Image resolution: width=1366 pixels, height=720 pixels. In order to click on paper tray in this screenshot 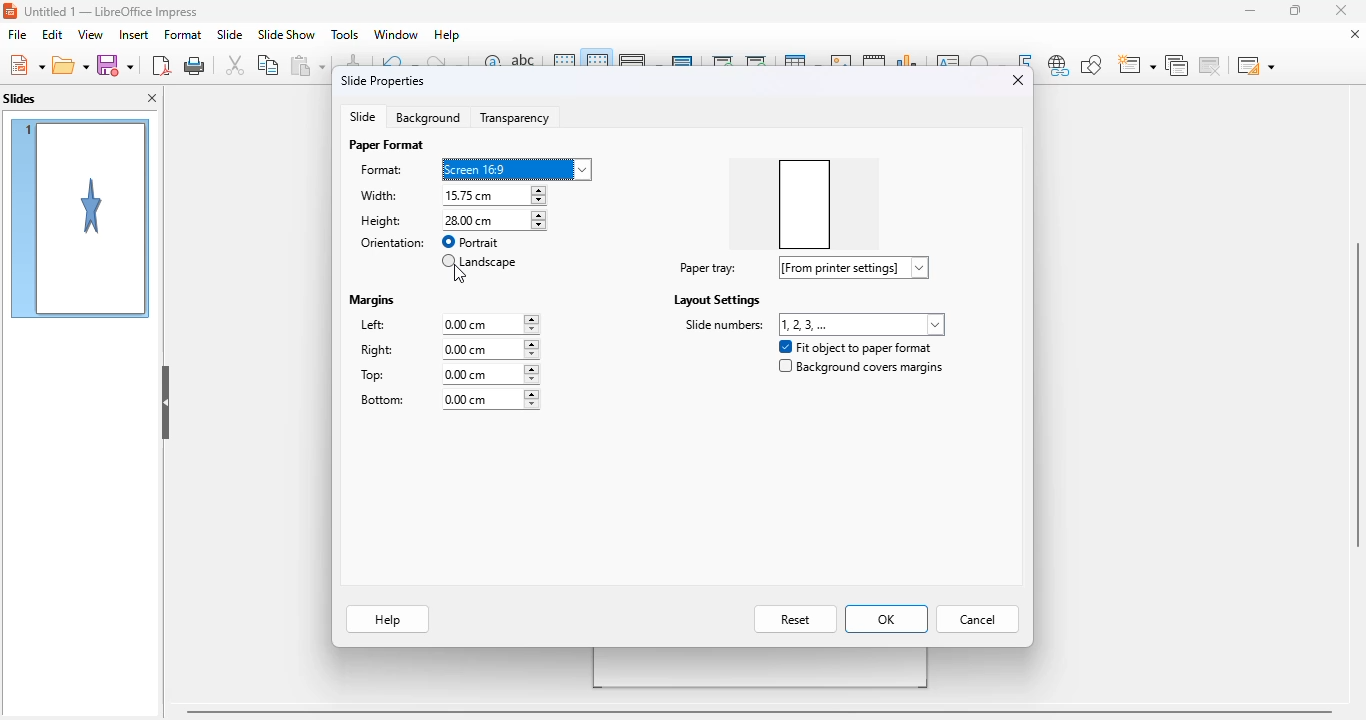, I will do `click(706, 268)`.